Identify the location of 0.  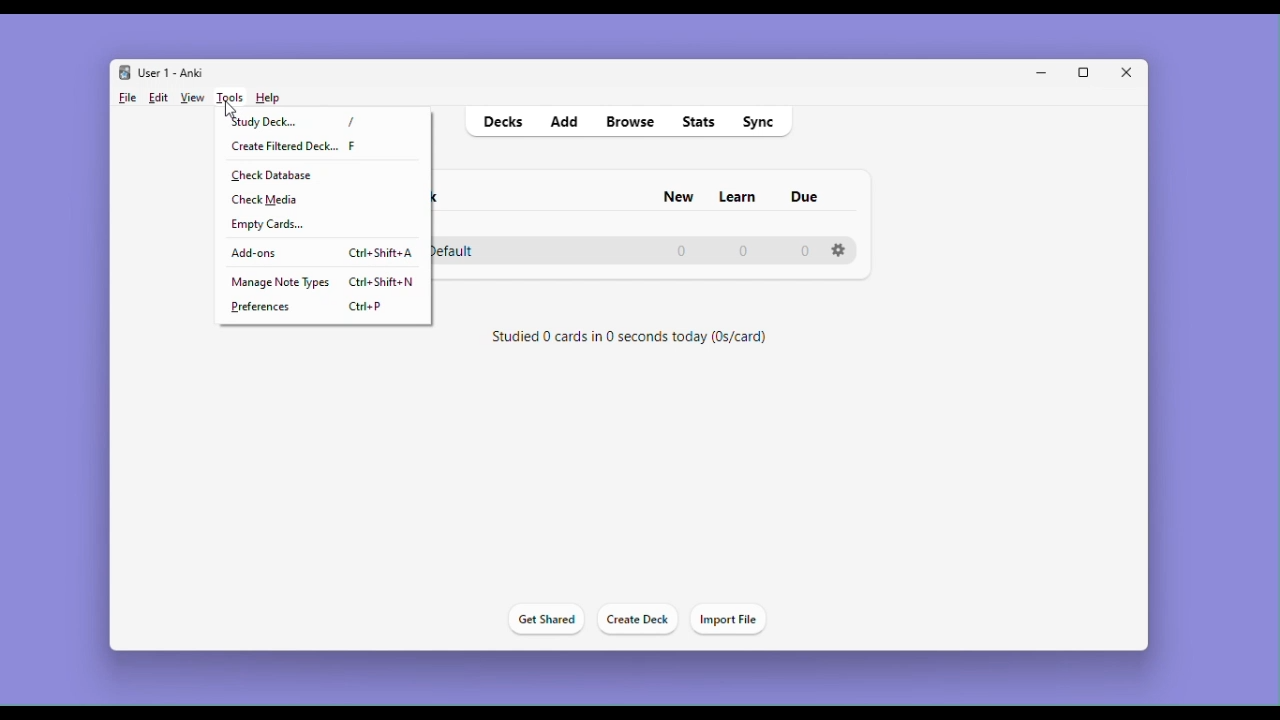
(798, 253).